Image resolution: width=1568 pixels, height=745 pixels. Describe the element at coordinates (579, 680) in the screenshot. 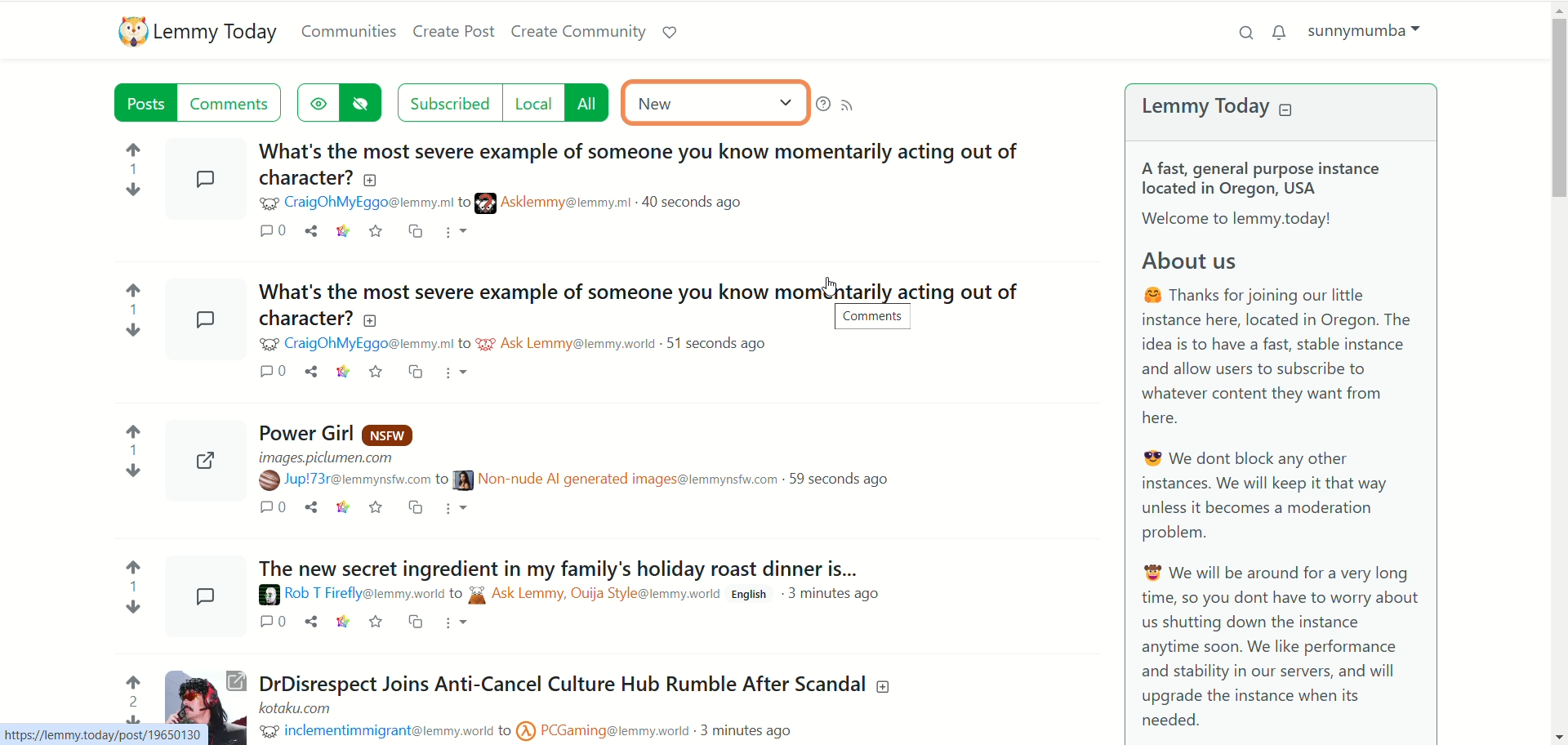

I see `DrDisrespect Joins Anti-Cancel Culture Hub Rumble After Scandal` at that location.